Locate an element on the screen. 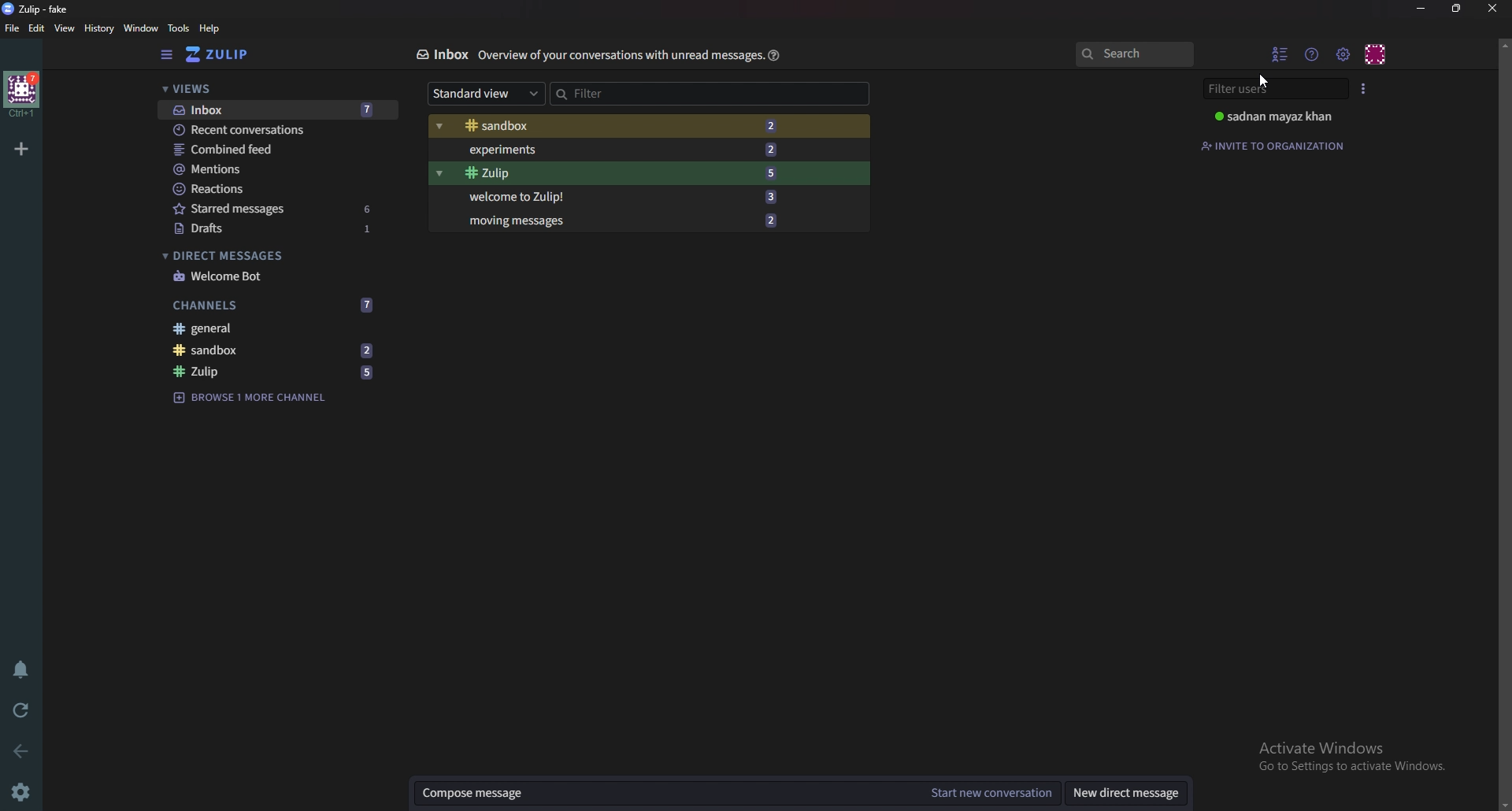 This screenshot has width=1512, height=811. Add organization is located at coordinates (23, 149).